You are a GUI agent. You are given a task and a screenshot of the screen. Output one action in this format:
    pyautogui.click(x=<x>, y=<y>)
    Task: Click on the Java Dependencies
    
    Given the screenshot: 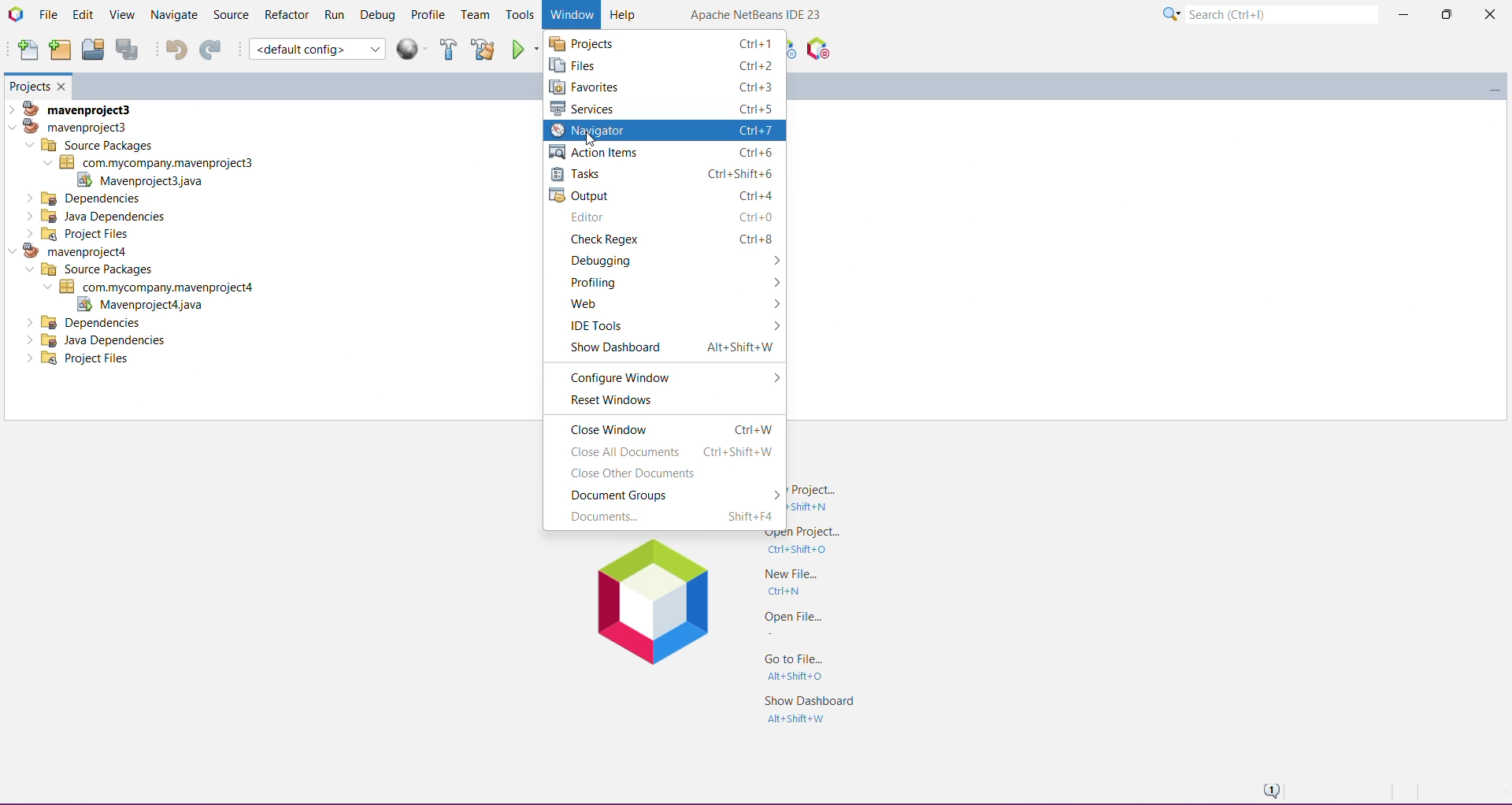 What is the action you would take?
    pyautogui.click(x=100, y=340)
    